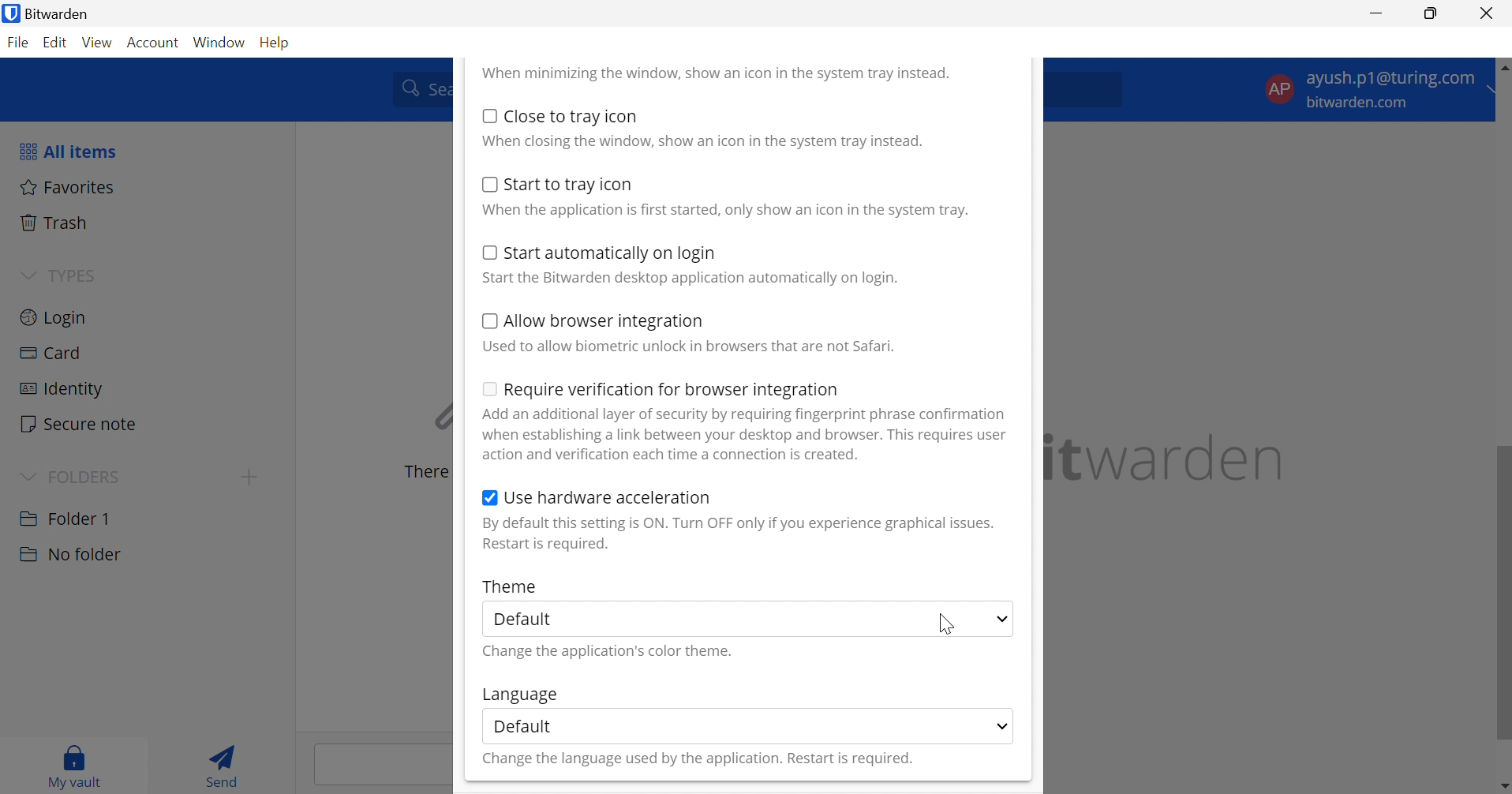 Image resolution: width=1512 pixels, height=794 pixels. What do you see at coordinates (1001, 620) in the screenshot?
I see `Drop Down` at bounding box center [1001, 620].